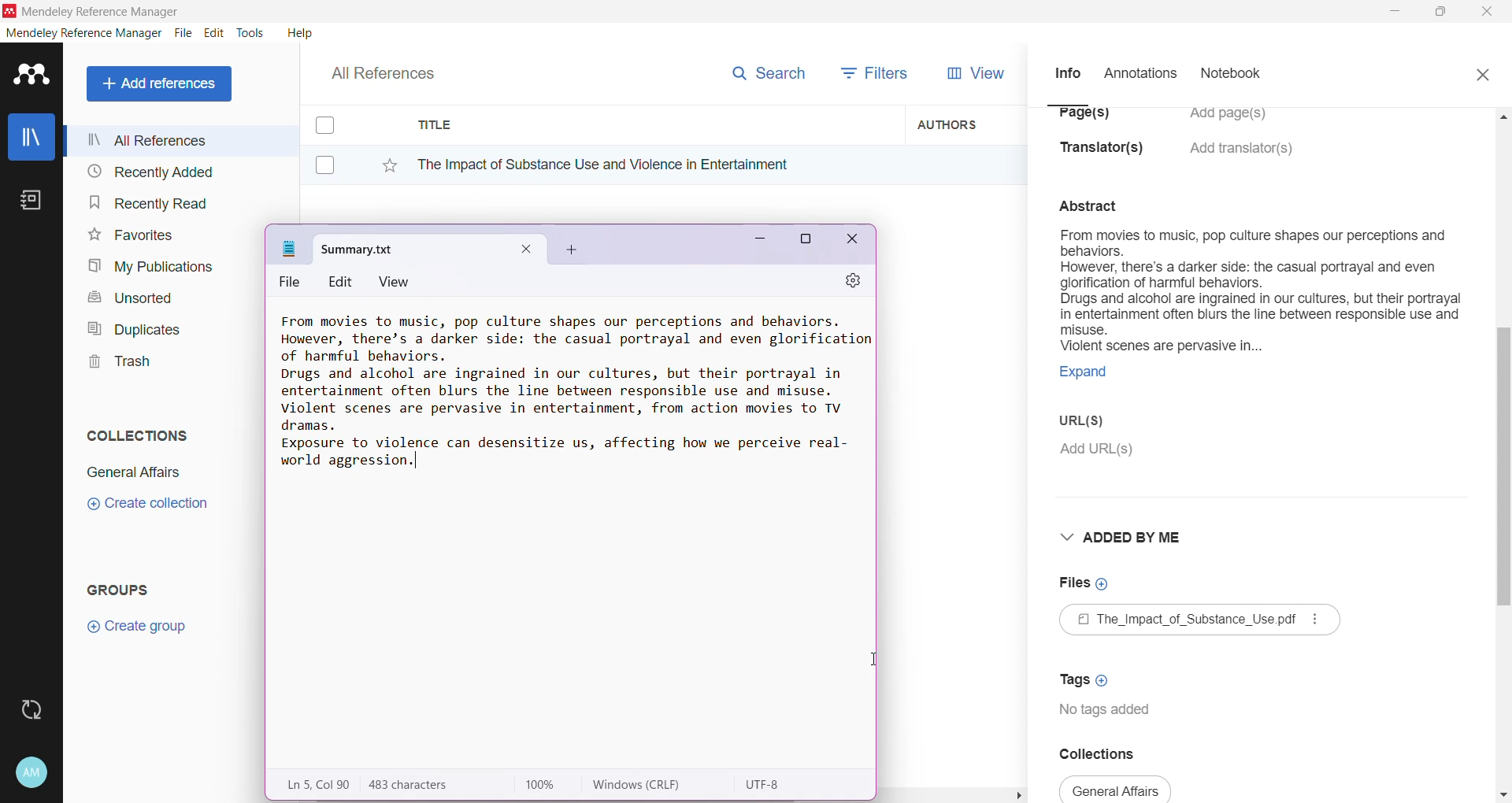  Describe the element at coordinates (124, 589) in the screenshot. I see `Groups` at that location.